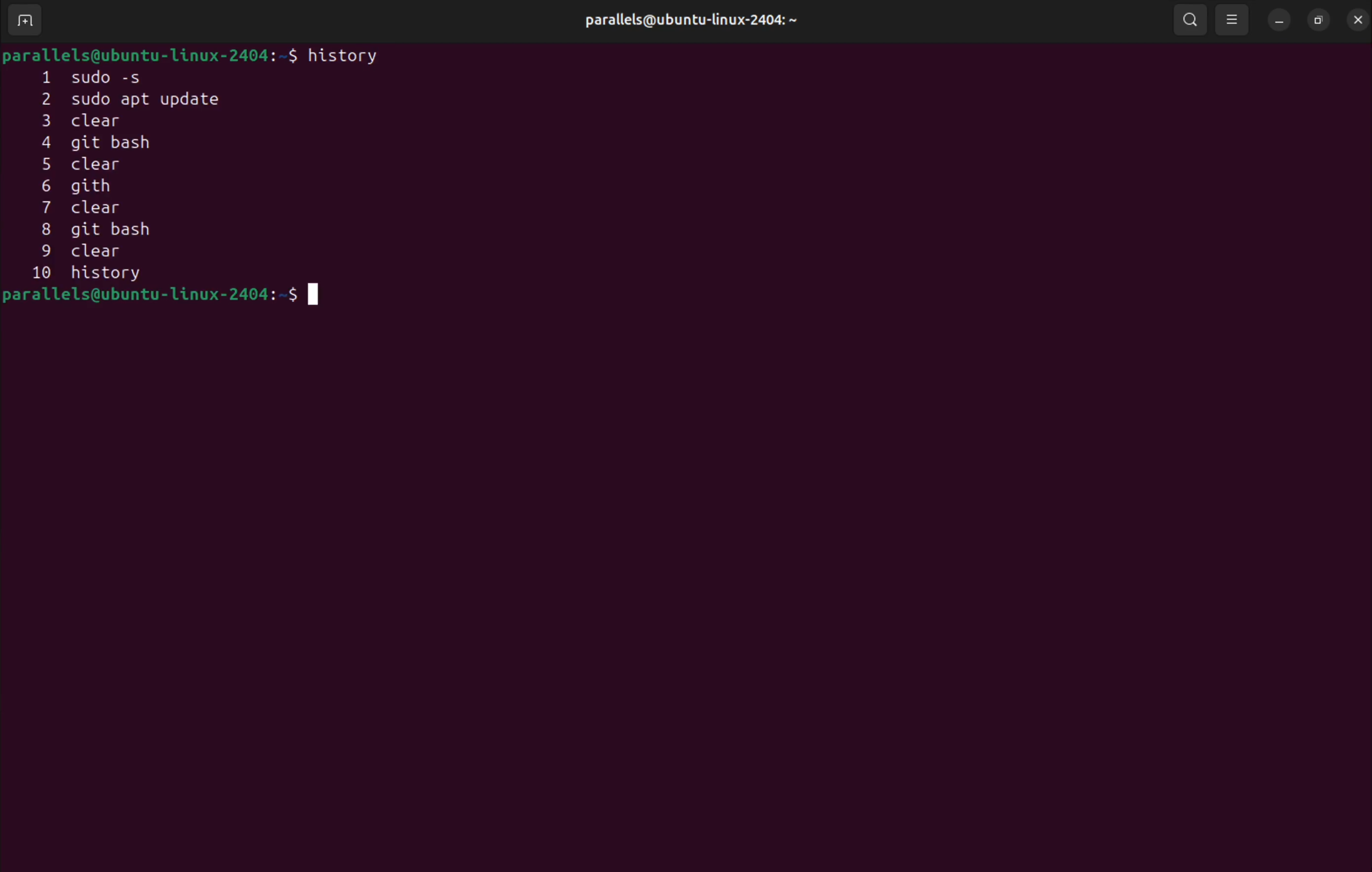  Describe the element at coordinates (93, 251) in the screenshot. I see `9.clear` at that location.